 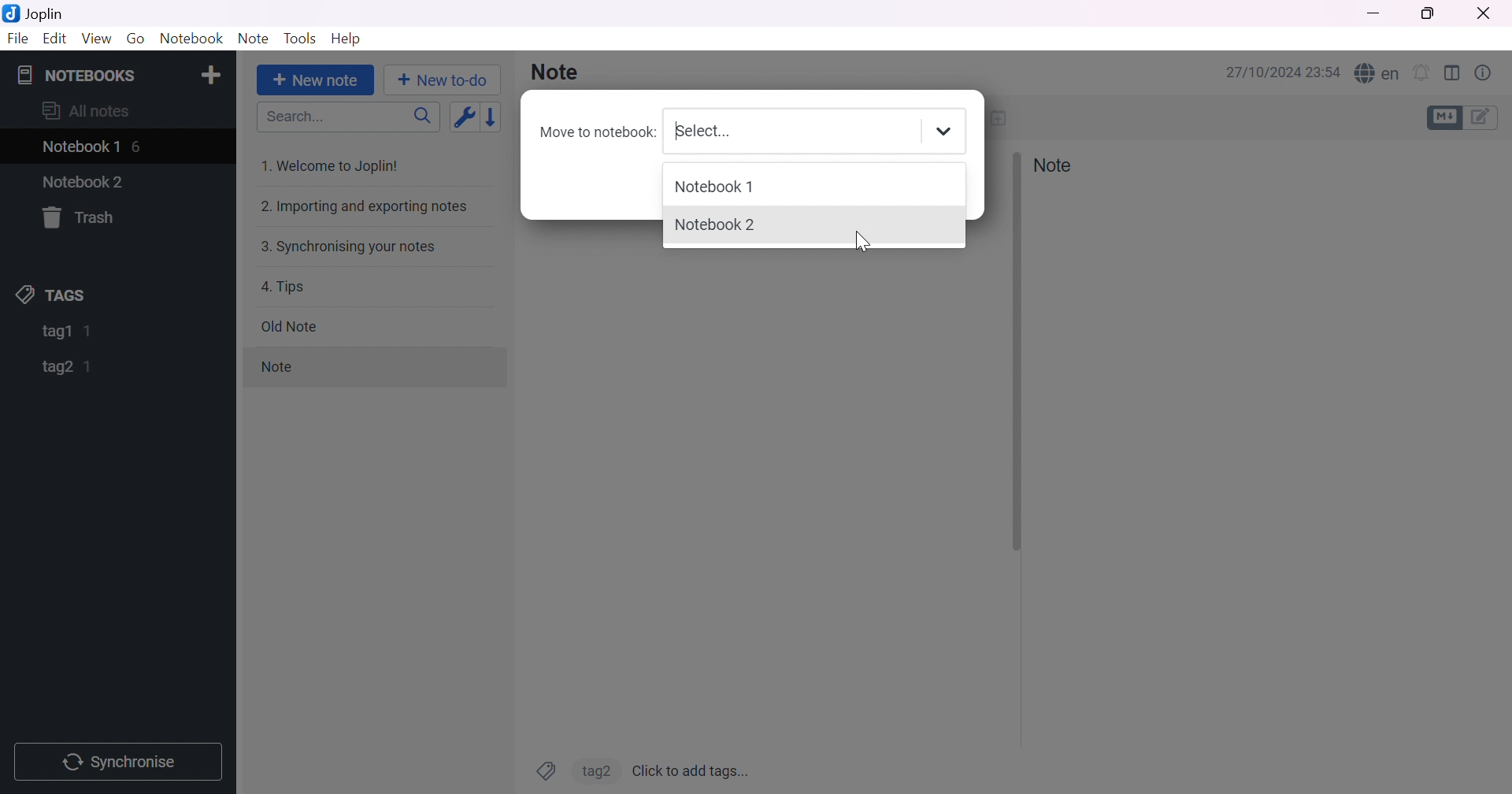 I want to click on Notebook1, so click(x=80, y=148).